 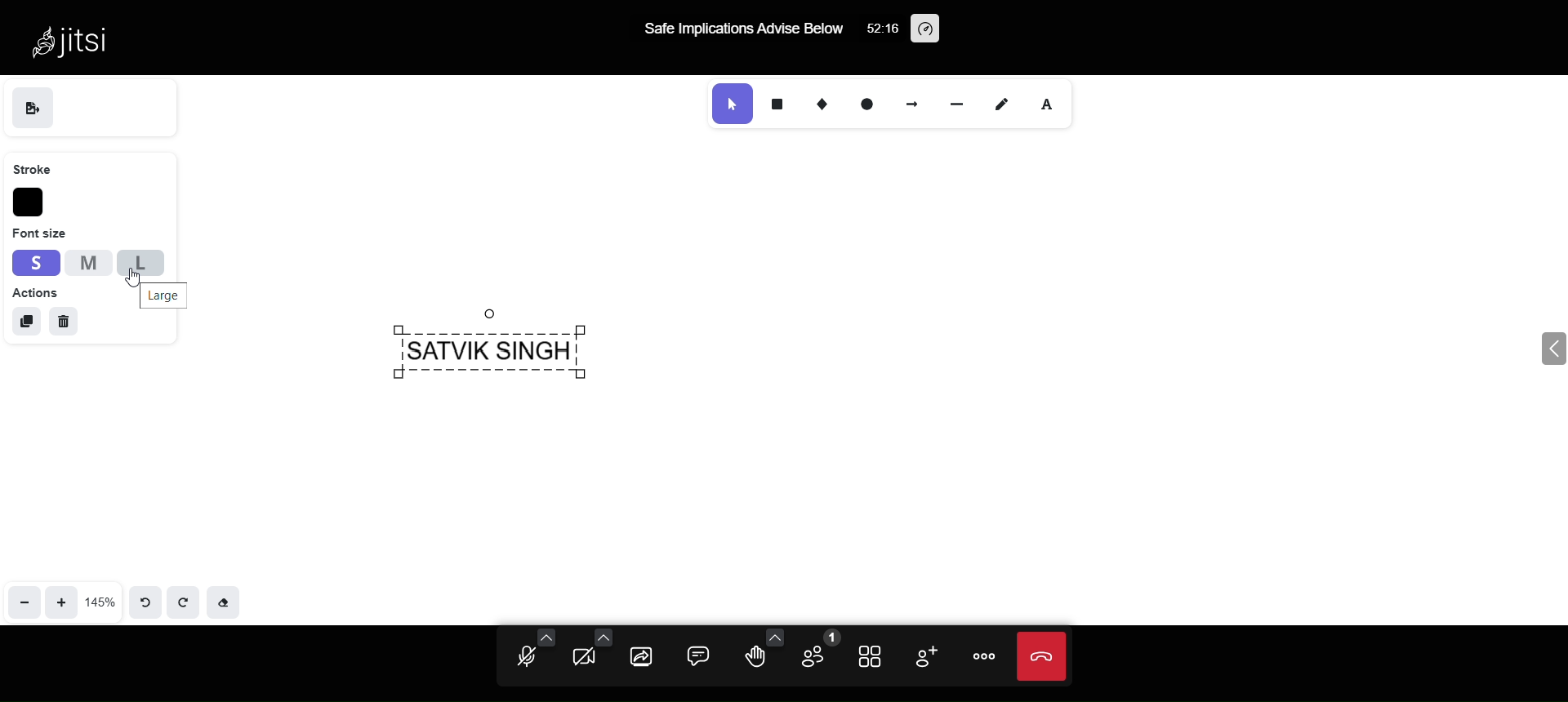 I want to click on redo, so click(x=186, y=602).